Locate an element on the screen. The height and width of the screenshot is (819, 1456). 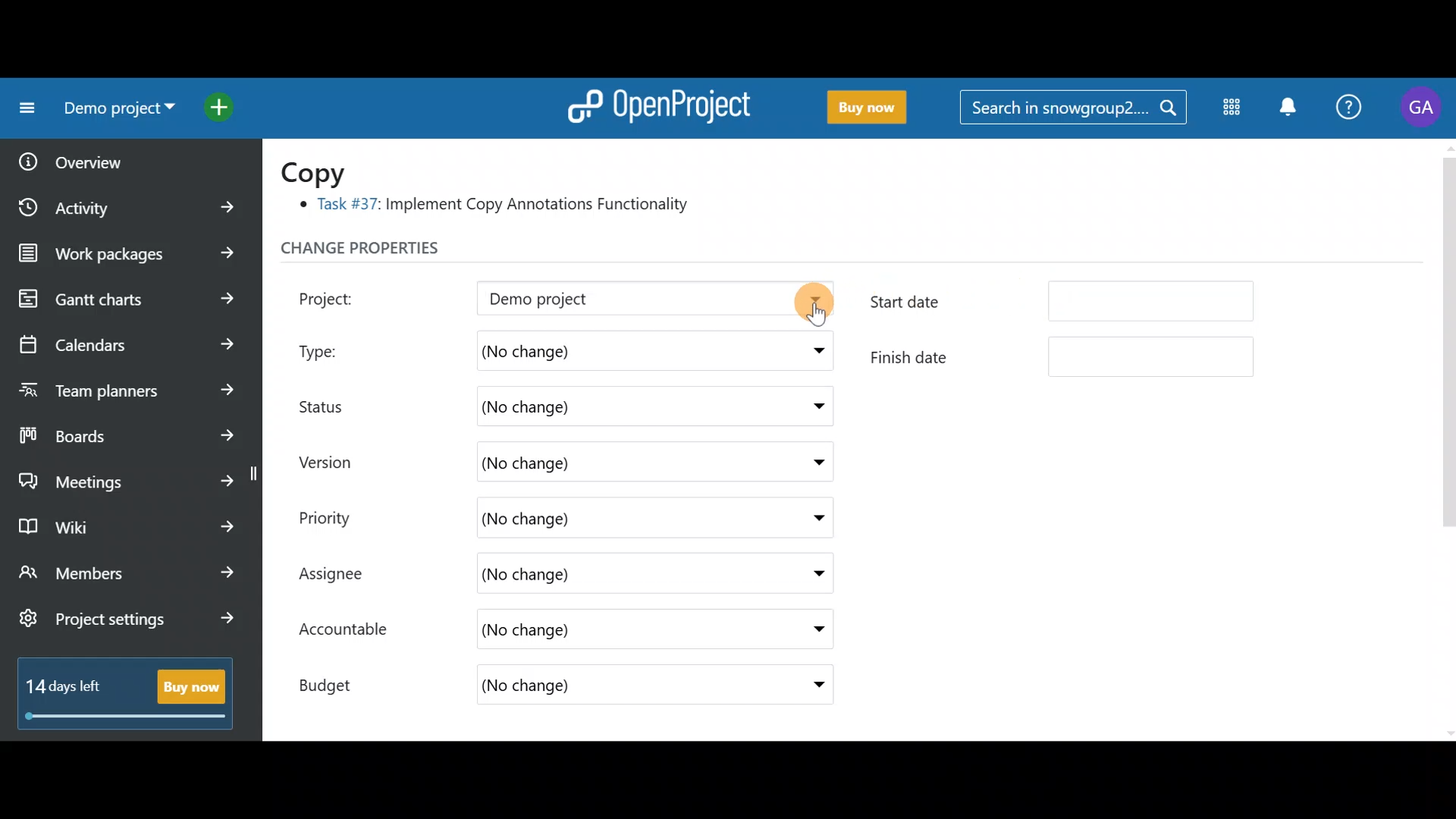
Cursor is located at coordinates (818, 309).